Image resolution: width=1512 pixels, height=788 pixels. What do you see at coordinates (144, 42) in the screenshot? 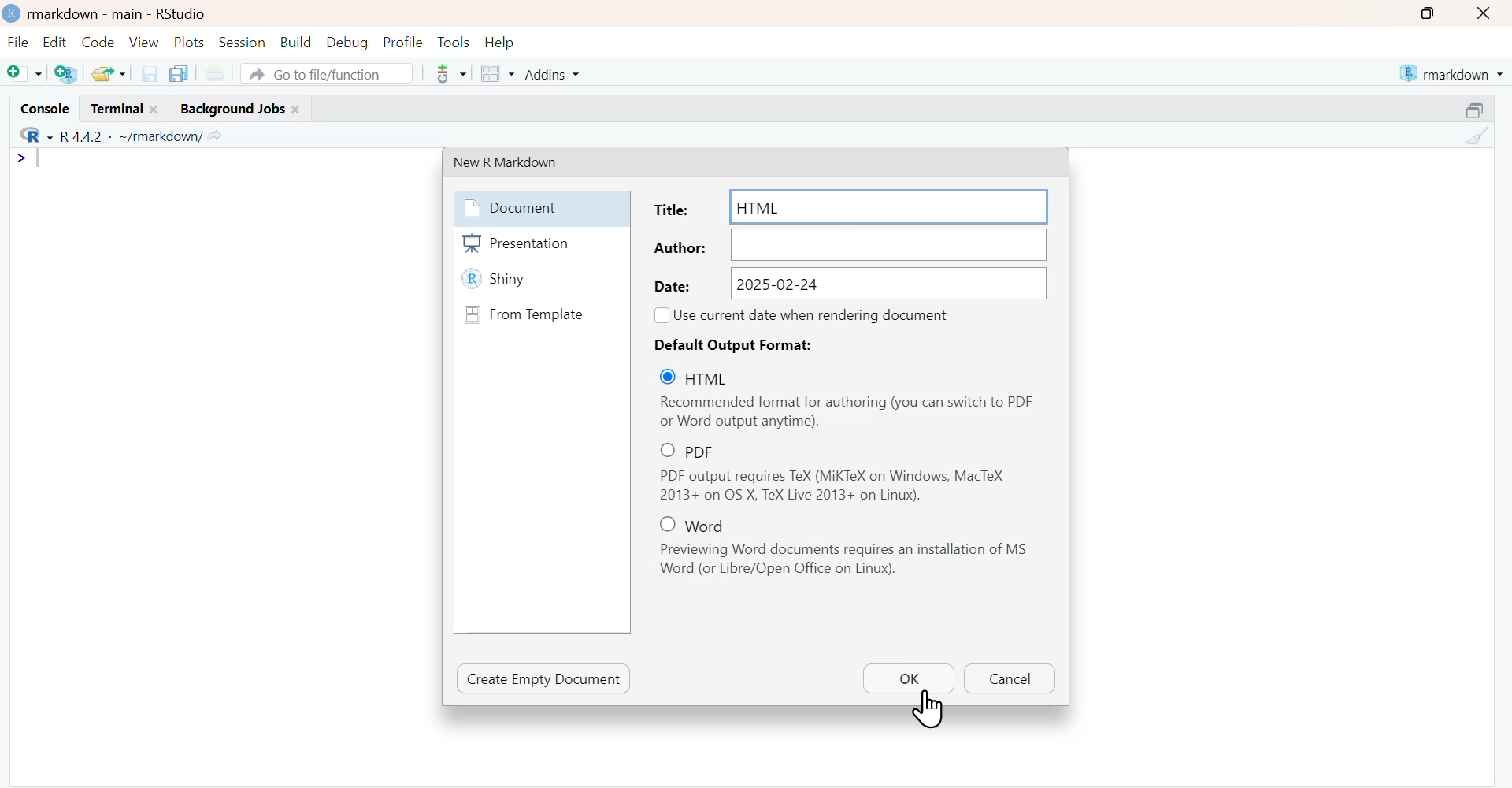
I see `View` at bounding box center [144, 42].